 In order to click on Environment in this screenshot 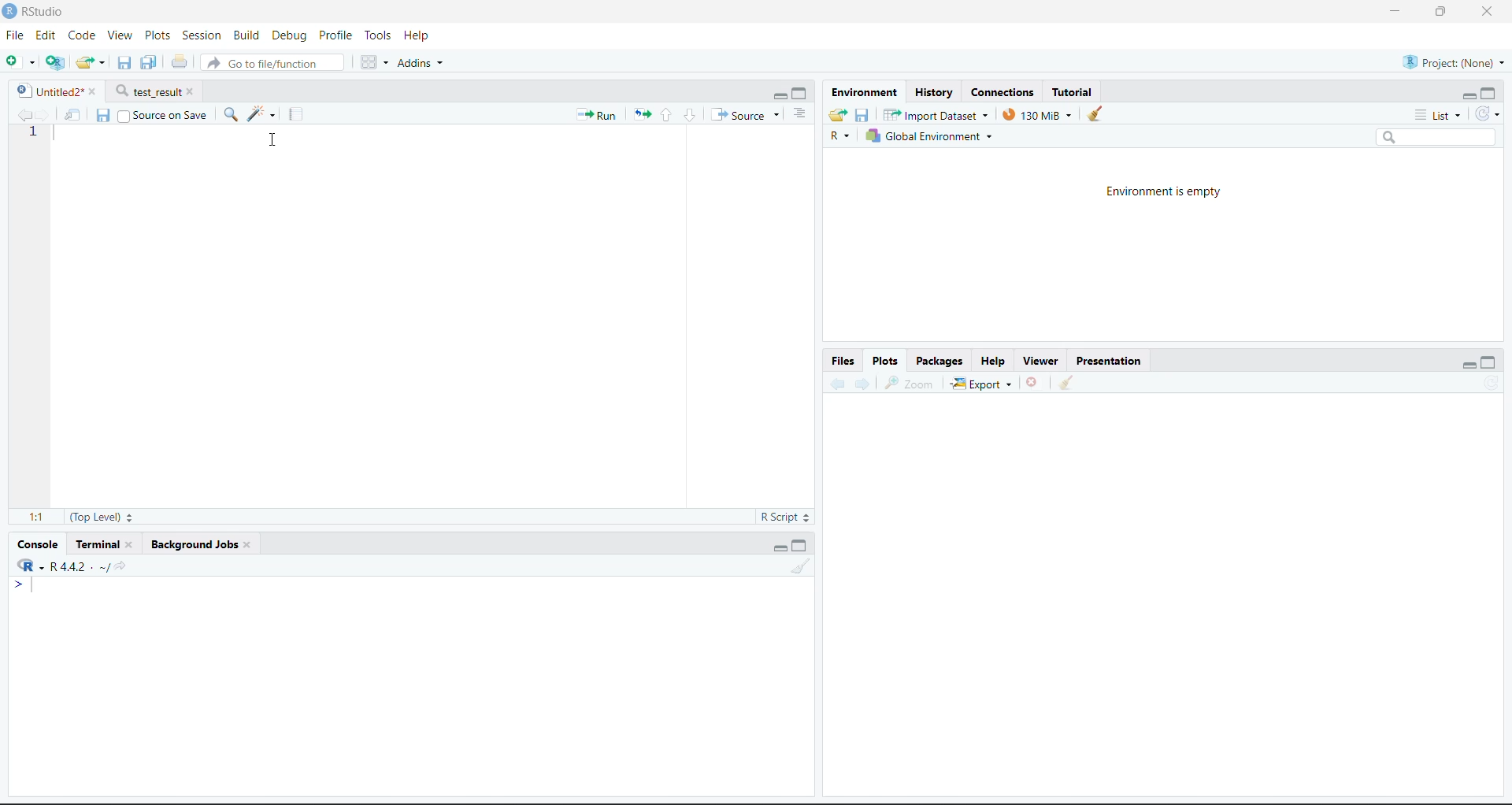, I will do `click(865, 92)`.